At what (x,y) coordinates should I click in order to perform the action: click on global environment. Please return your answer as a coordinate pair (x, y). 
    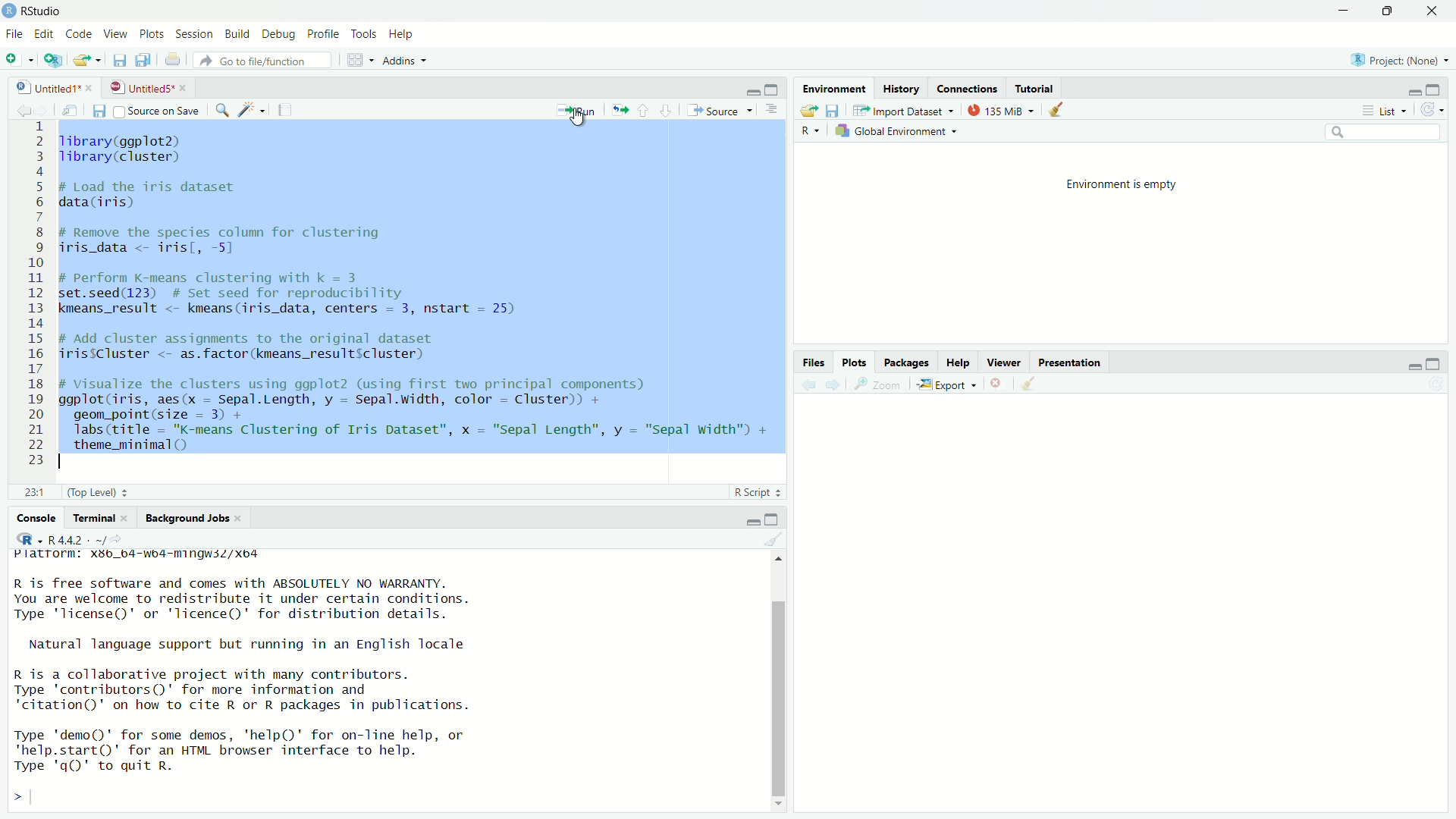
    Looking at the image, I should click on (899, 132).